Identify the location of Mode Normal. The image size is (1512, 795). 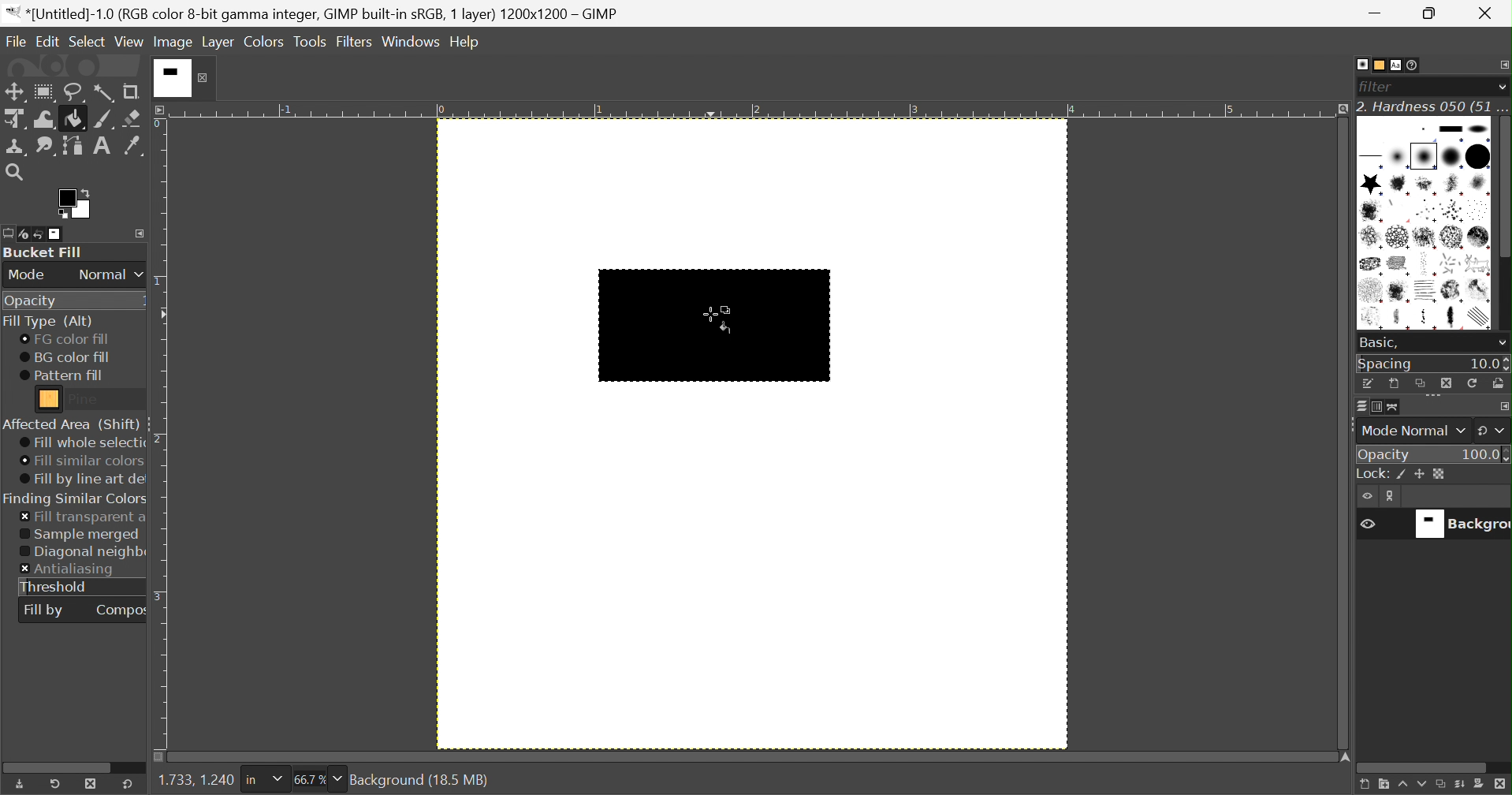
(1412, 431).